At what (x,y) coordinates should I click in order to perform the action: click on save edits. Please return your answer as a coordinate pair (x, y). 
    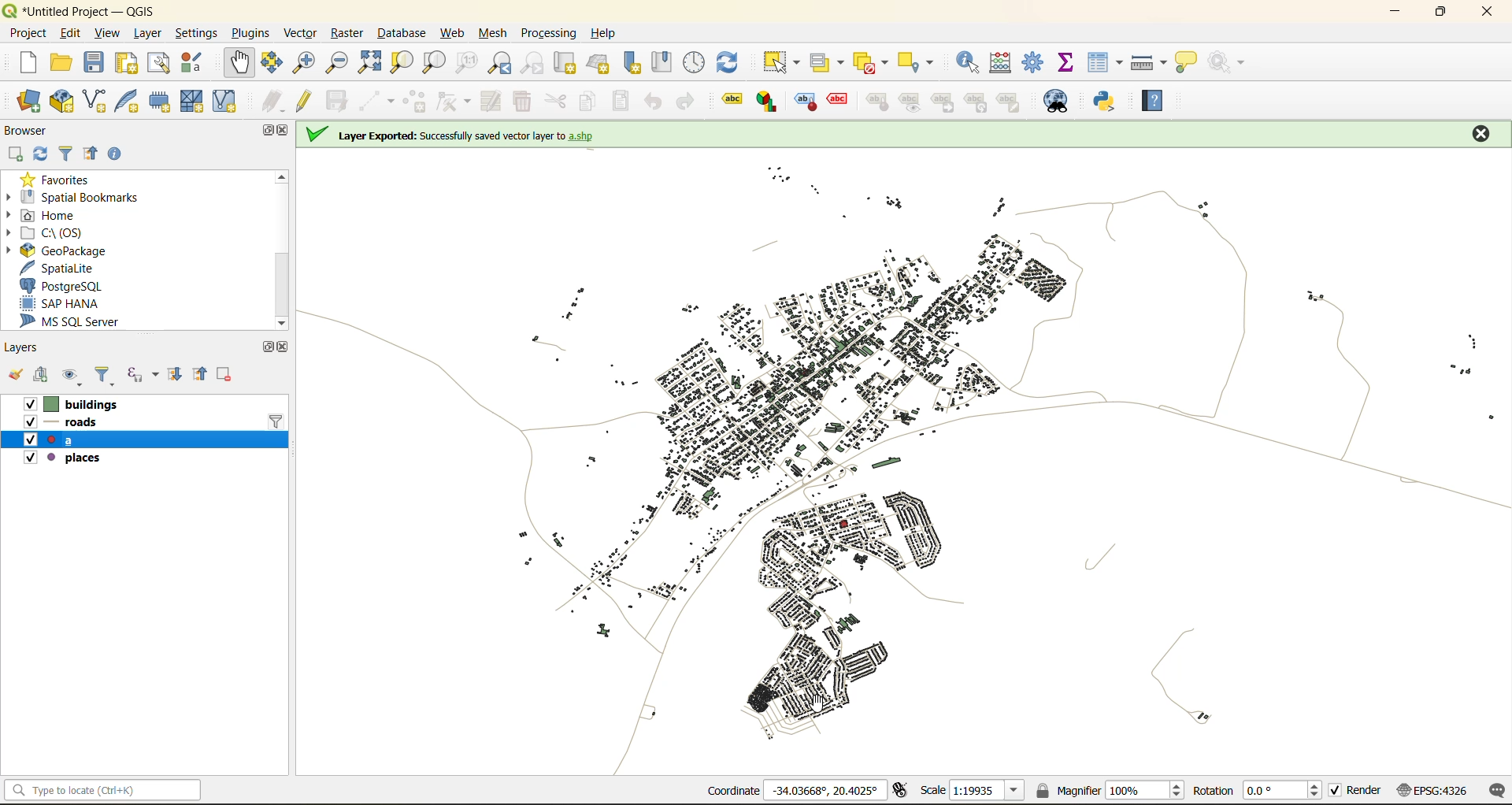
    Looking at the image, I should click on (339, 99).